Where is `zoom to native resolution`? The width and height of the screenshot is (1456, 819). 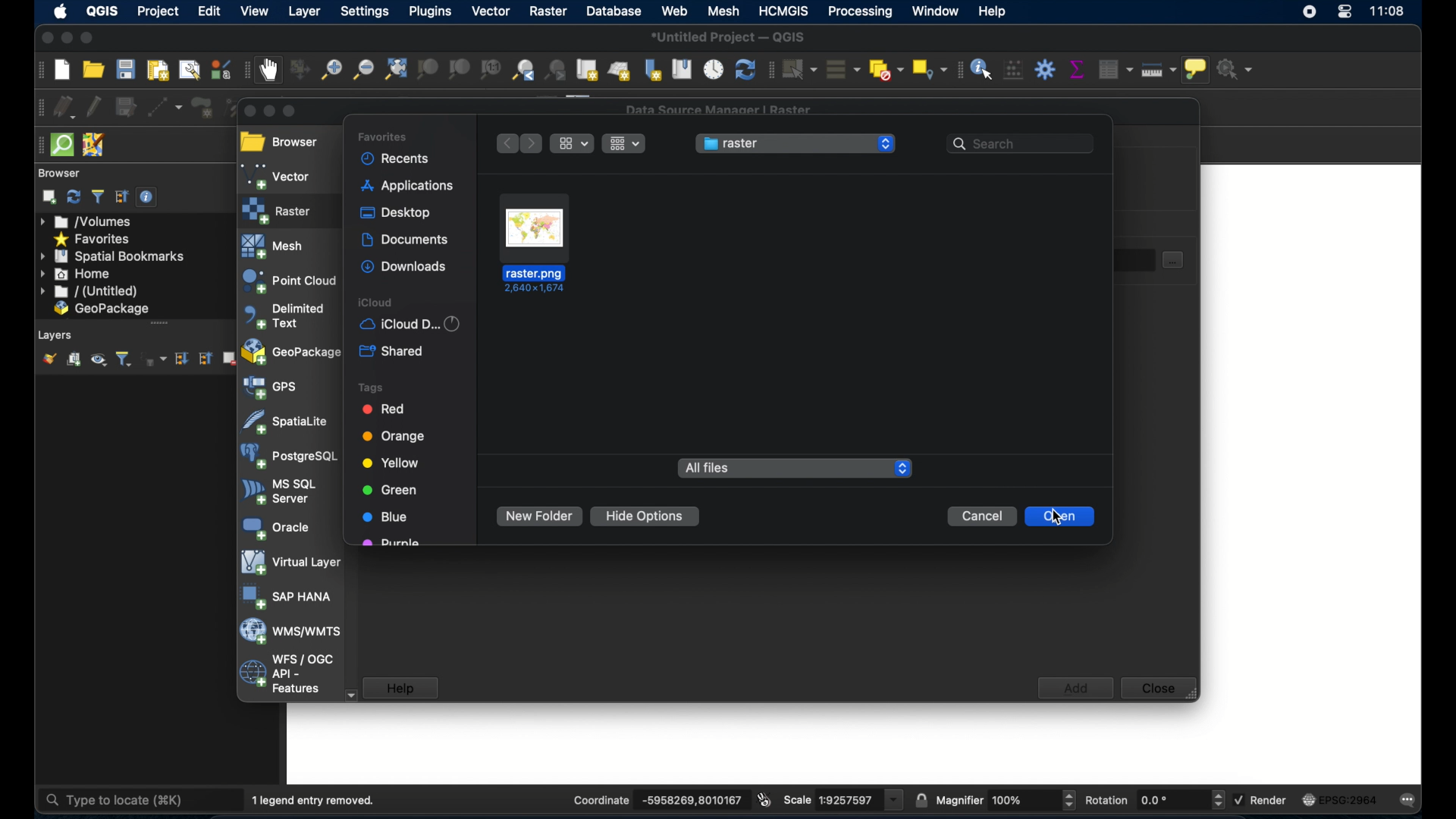
zoom to native resolution is located at coordinates (491, 69).